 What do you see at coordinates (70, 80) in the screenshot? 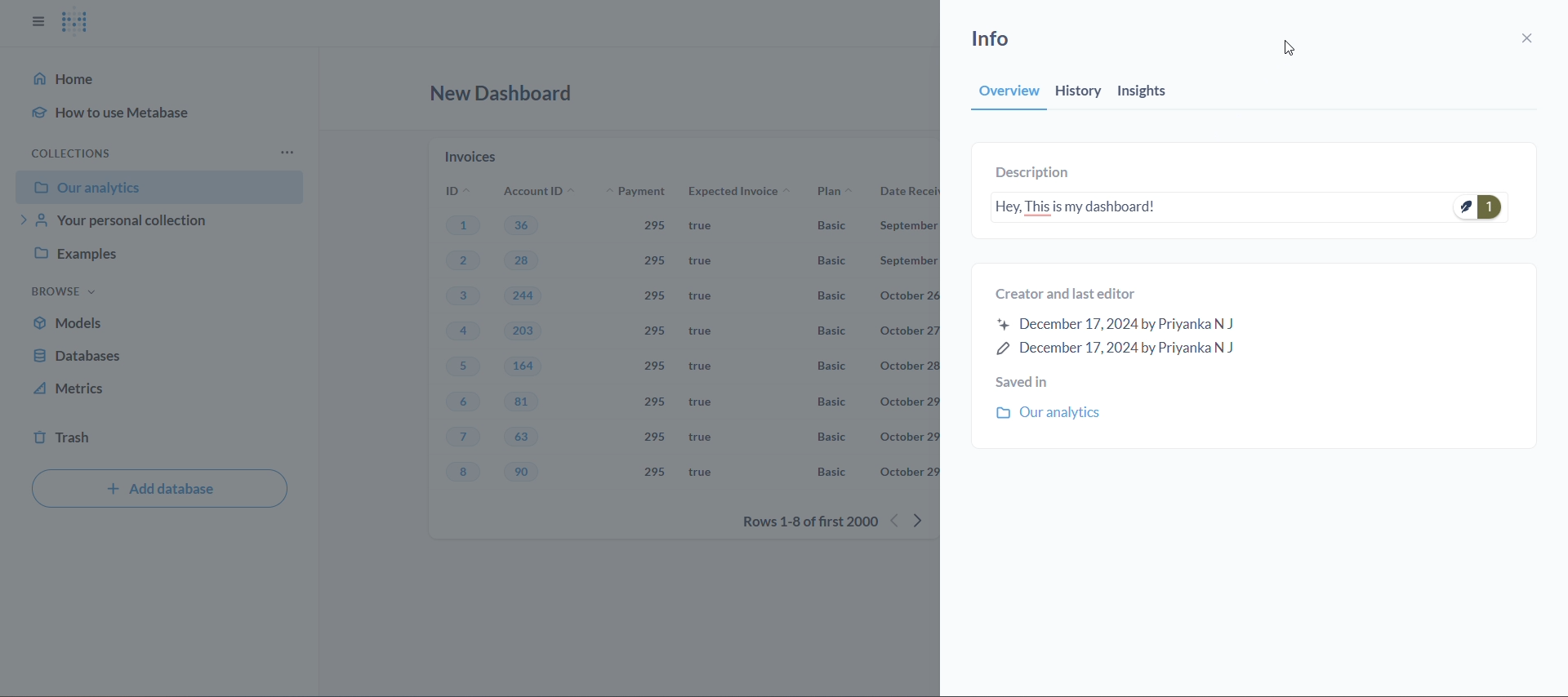
I see `home` at bounding box center [70, 80].